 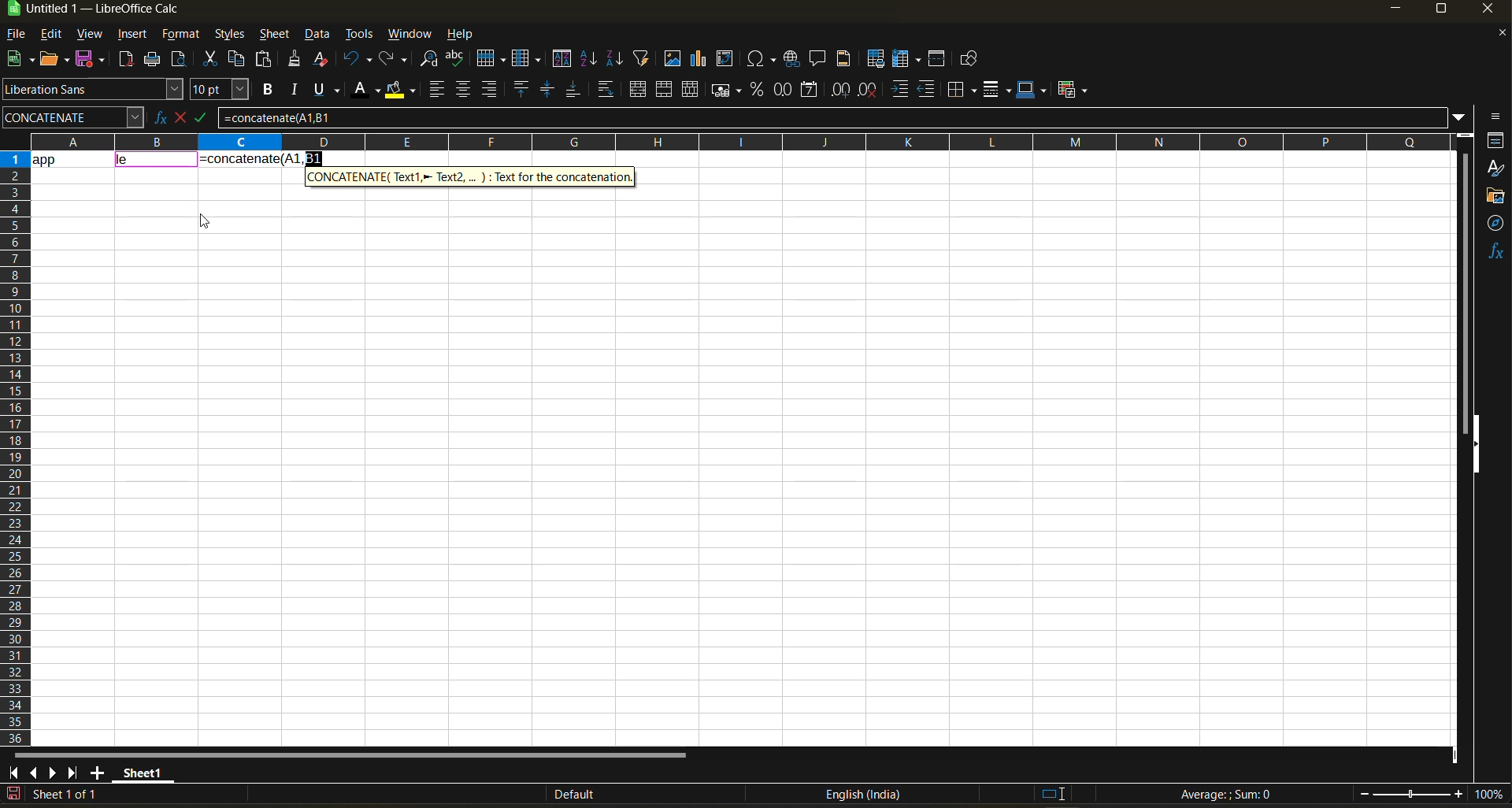 What do you see at coordinates (72, 117) in the screenshot?
I see `cell address` at bounding box center [72, 117].